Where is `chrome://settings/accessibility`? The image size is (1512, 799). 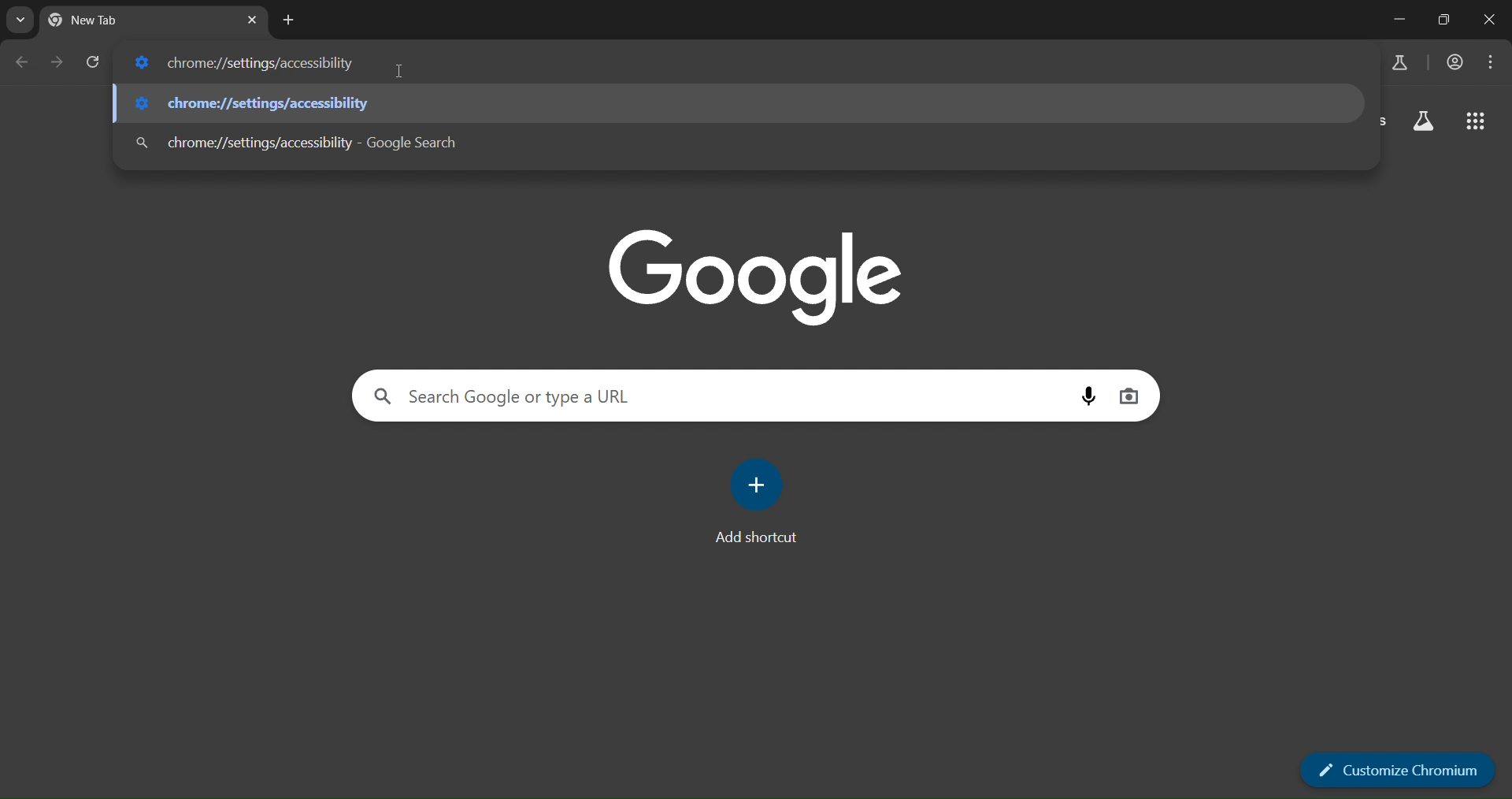
chrome://settings/accessibility is located at coordinates (732, 102).